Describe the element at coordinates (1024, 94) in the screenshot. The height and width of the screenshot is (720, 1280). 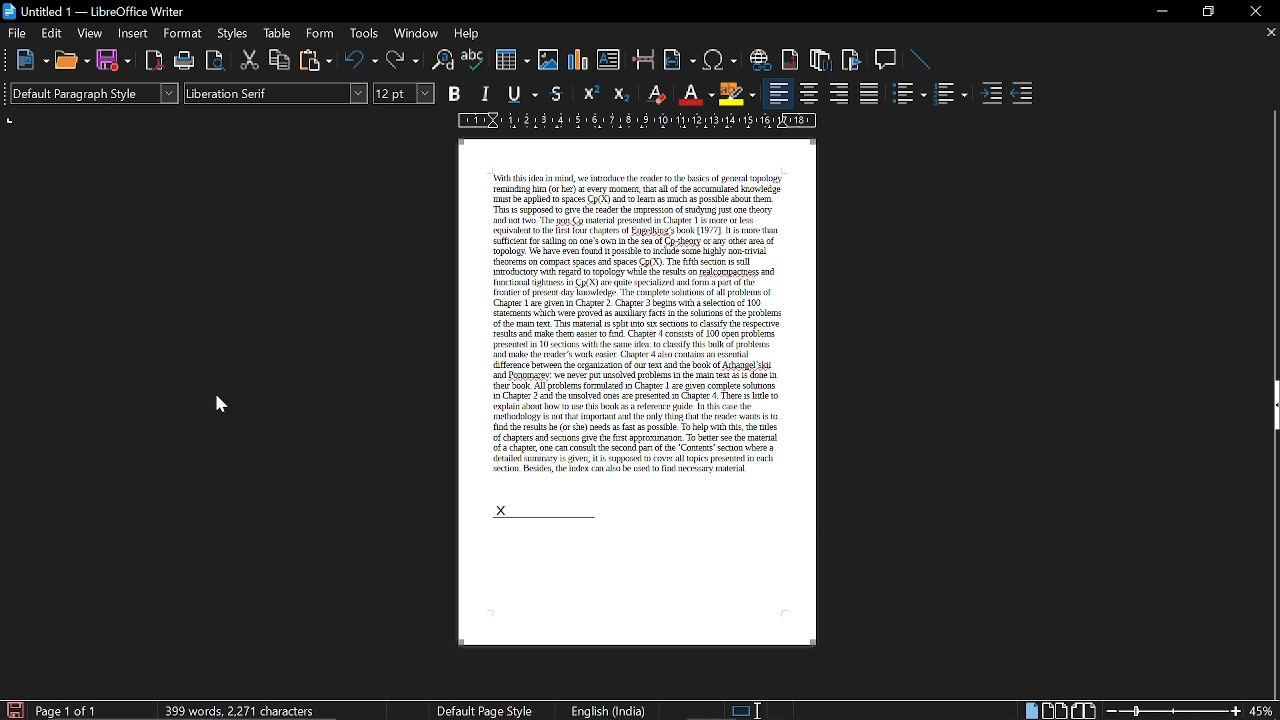
I see `decrease indent` at that location.